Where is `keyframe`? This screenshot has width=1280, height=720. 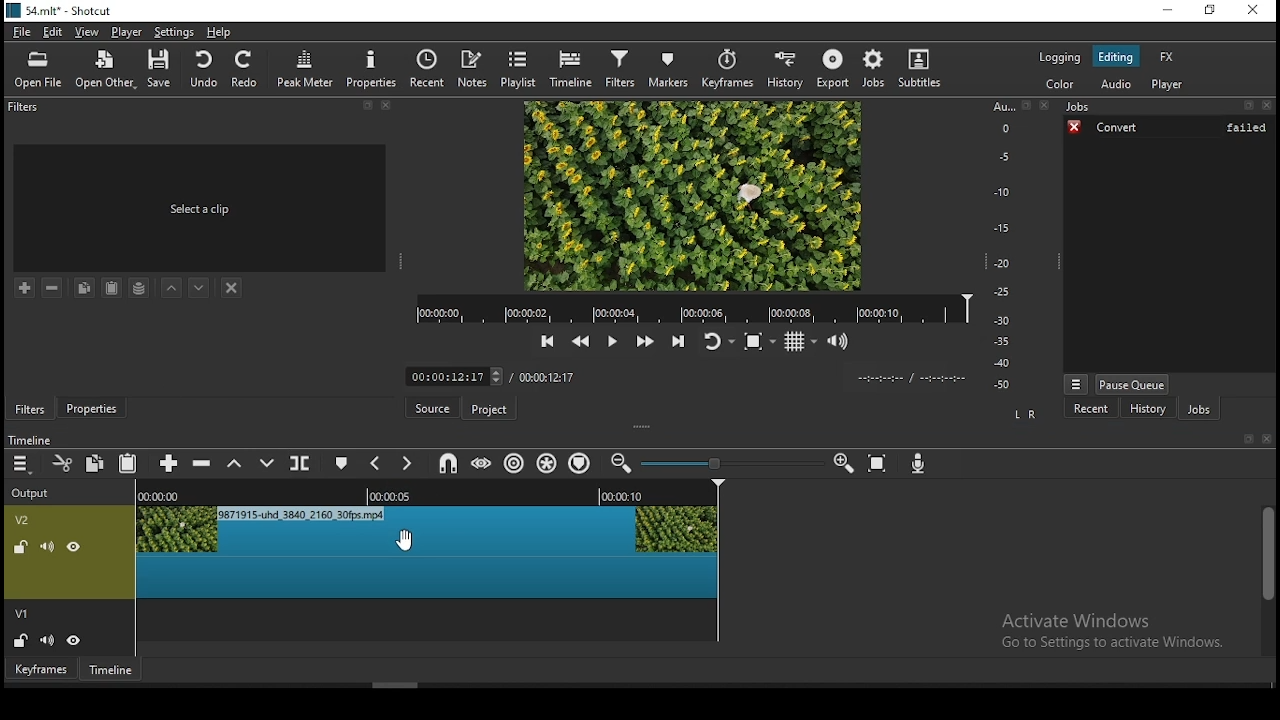
keyframe is located at coordinates (42, 670).